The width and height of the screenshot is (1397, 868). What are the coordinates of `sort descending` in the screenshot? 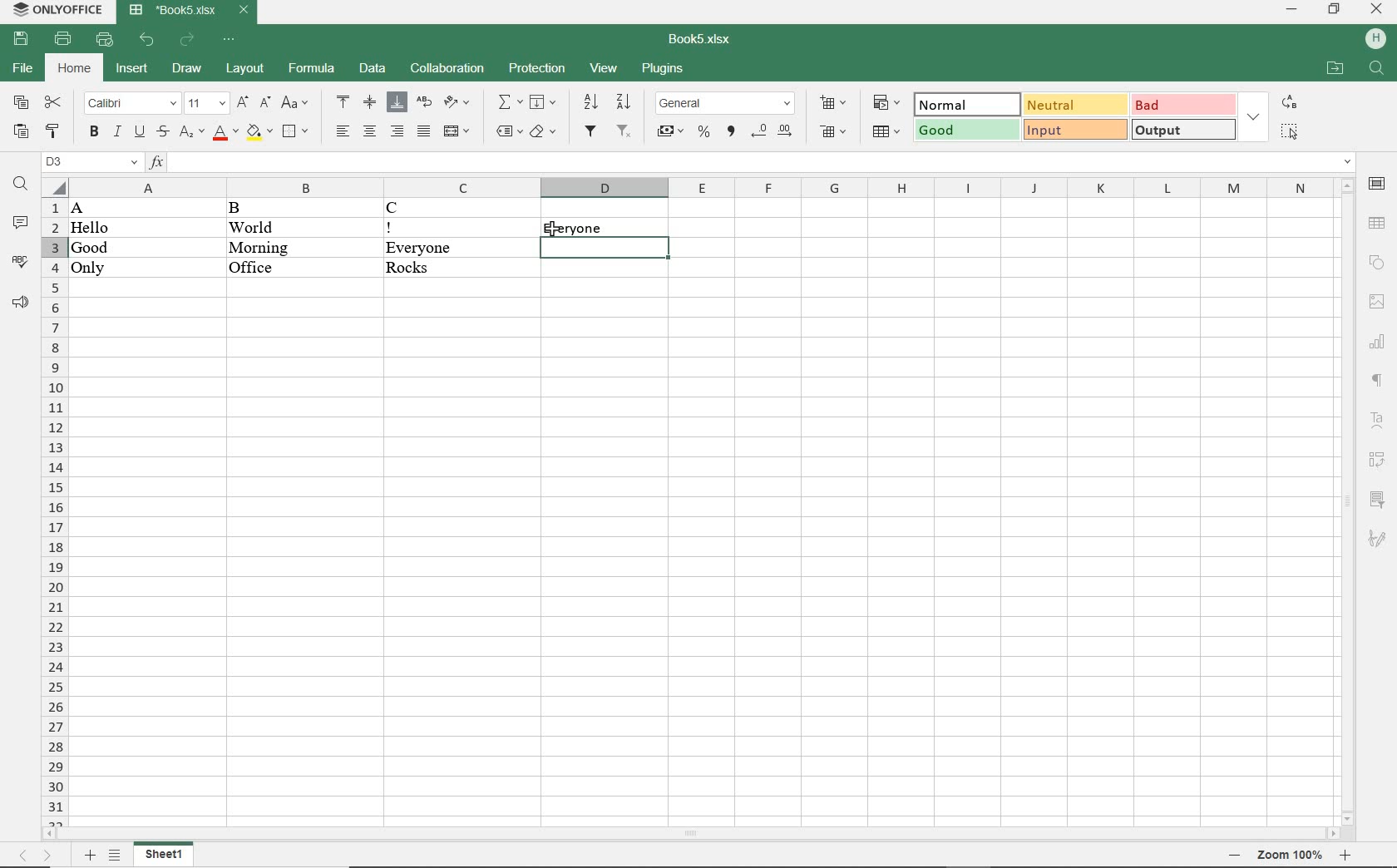 It's located at (625, 104).